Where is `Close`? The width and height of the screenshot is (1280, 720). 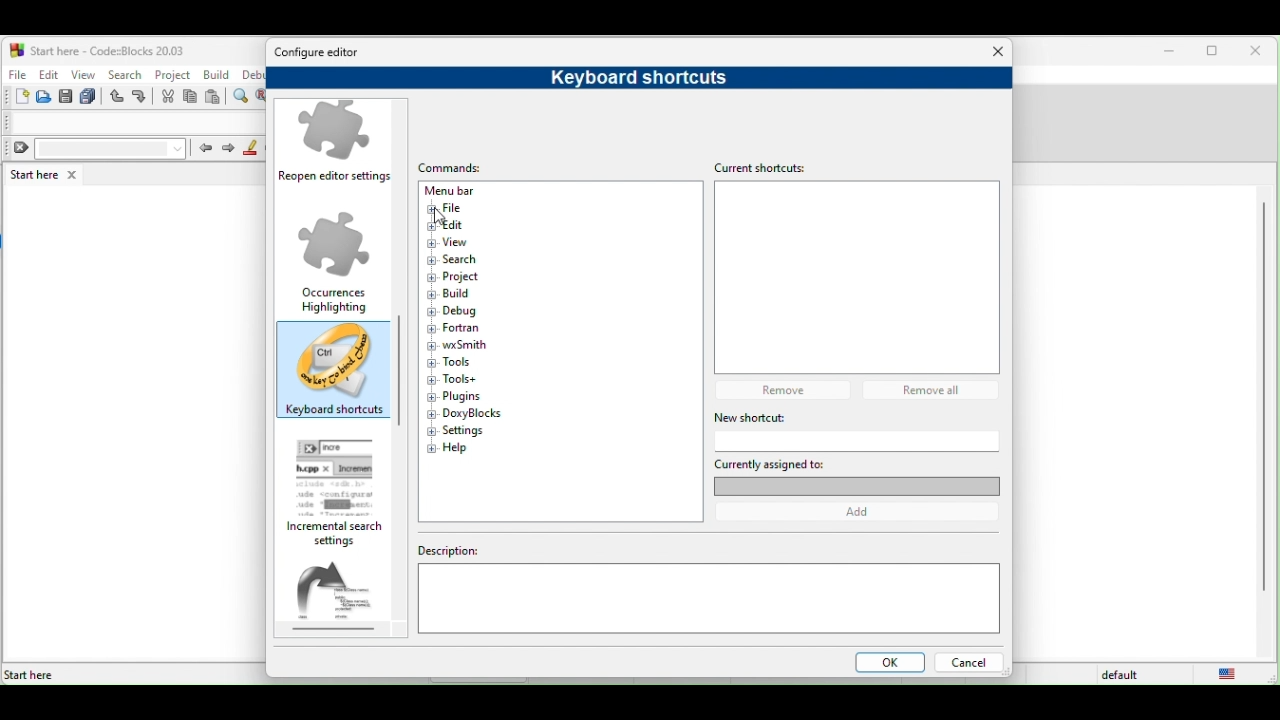 Close is located at coordinates (999, 52).